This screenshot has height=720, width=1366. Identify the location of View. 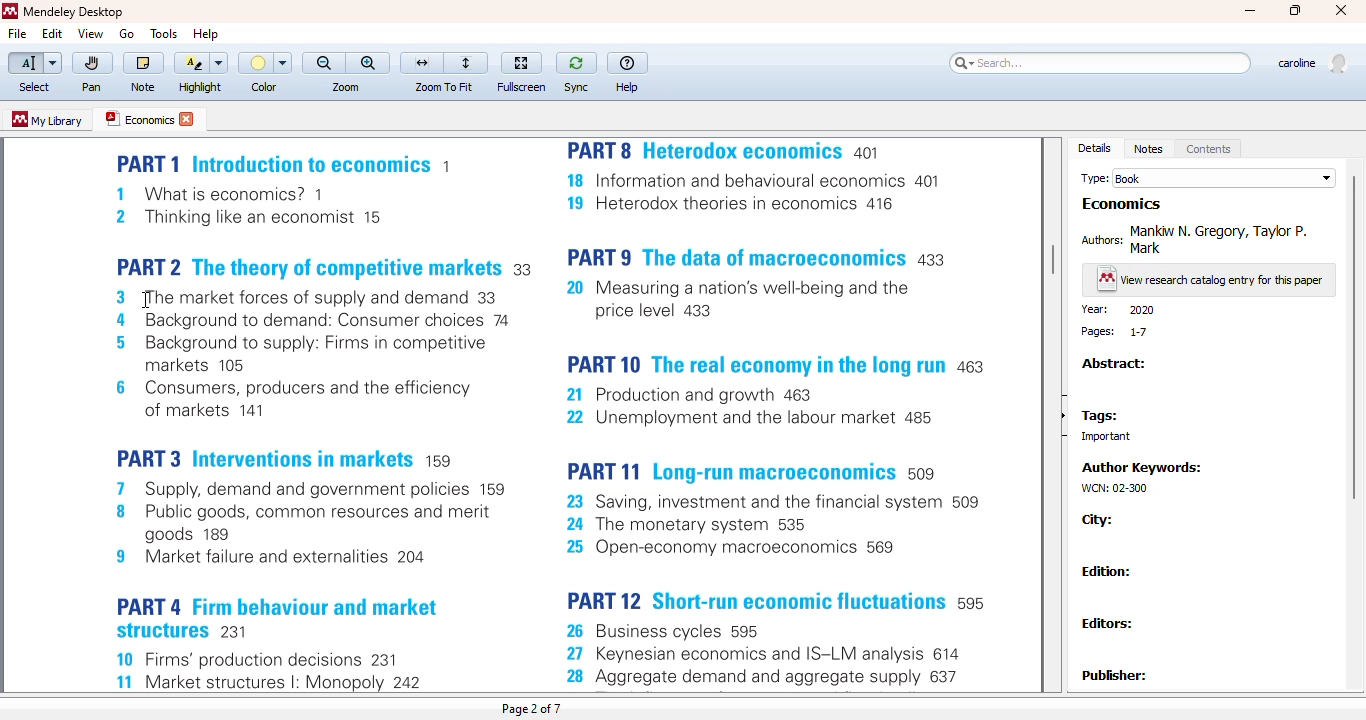
(91, 33).